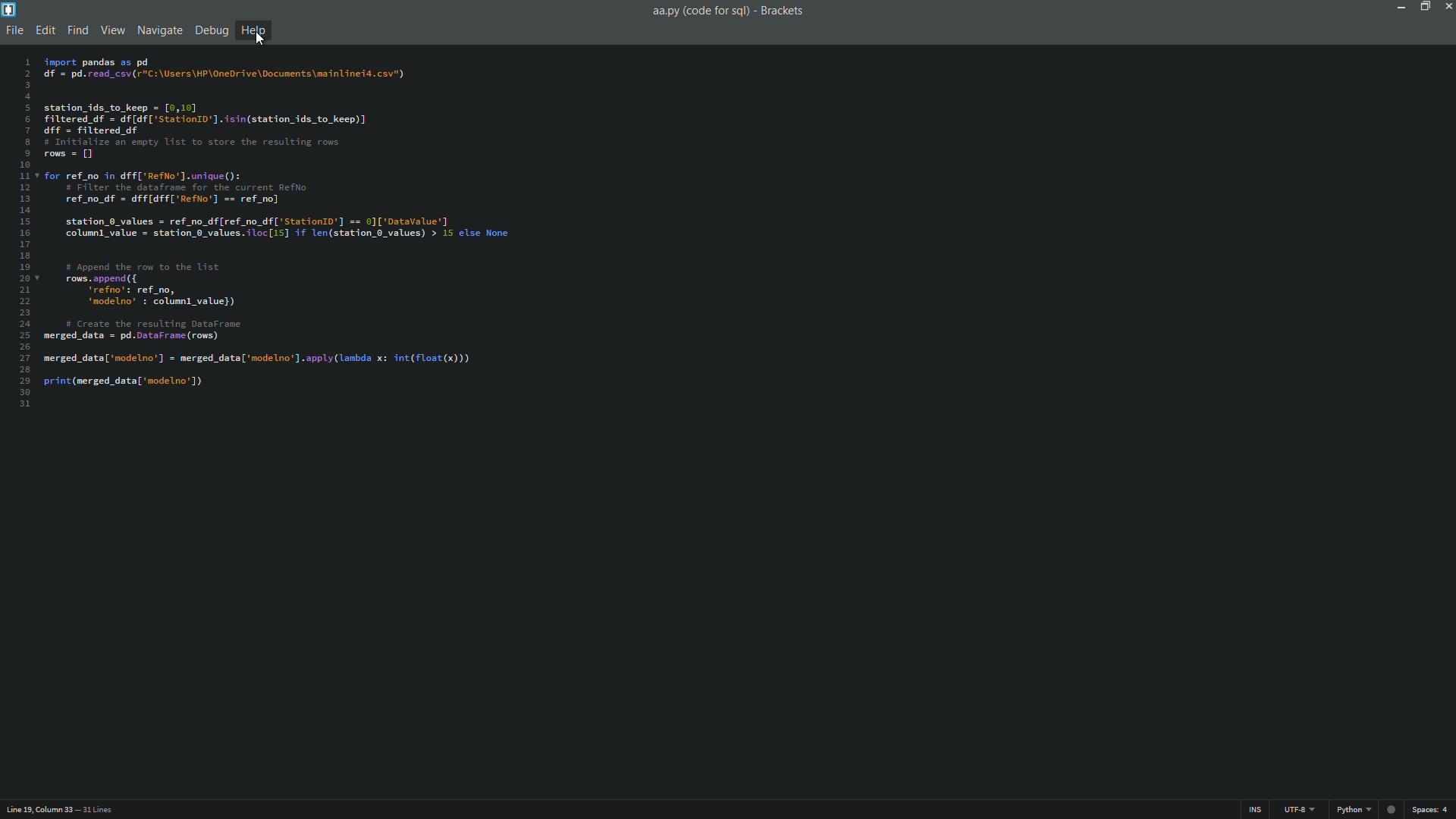 The image size is (1456, 819). What do you see at coordinates (77, 31) in the screenshot?
I see `find menu` at bounding box center [77, 31].